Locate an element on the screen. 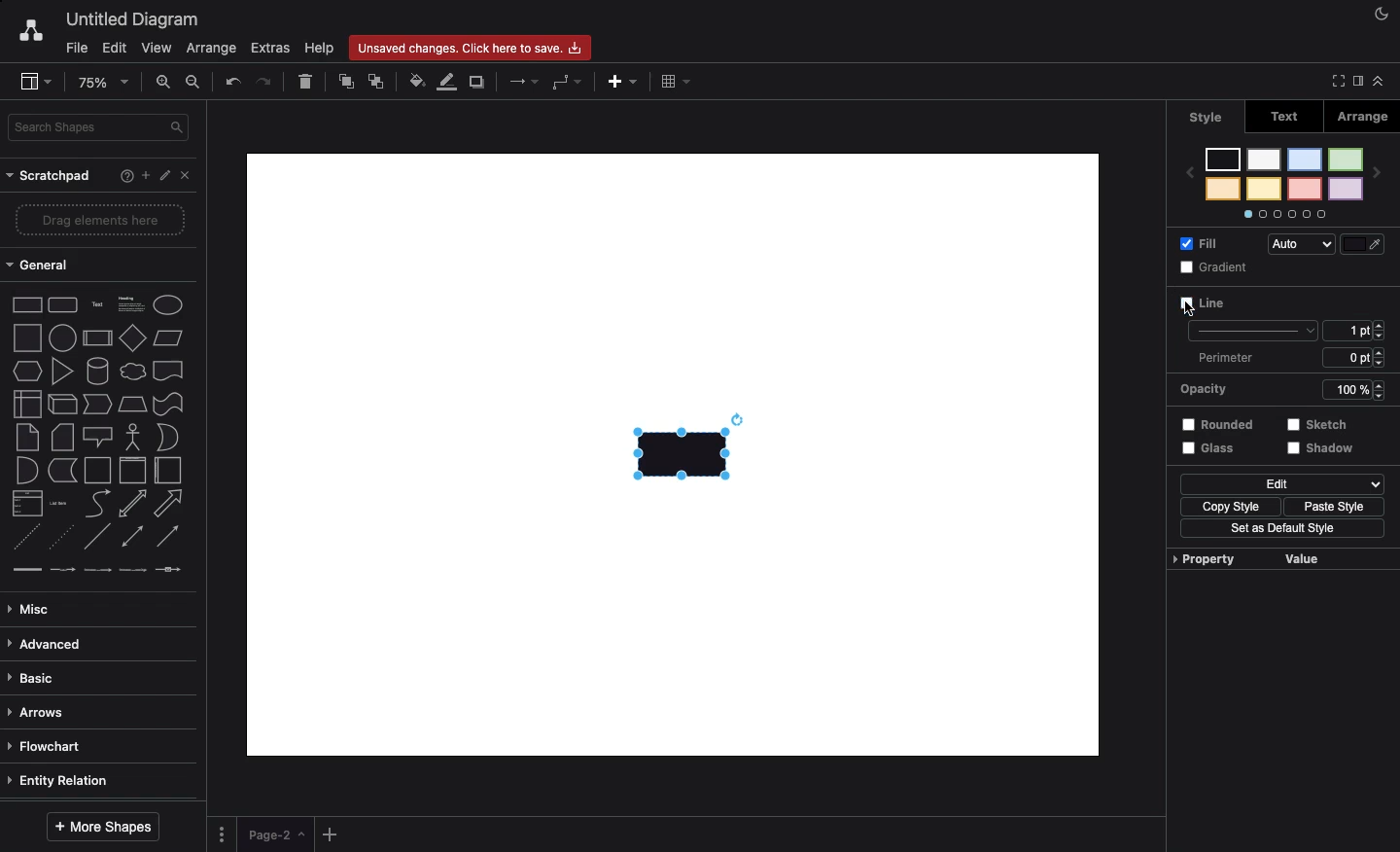  circle is located at coordinates (63, 337).